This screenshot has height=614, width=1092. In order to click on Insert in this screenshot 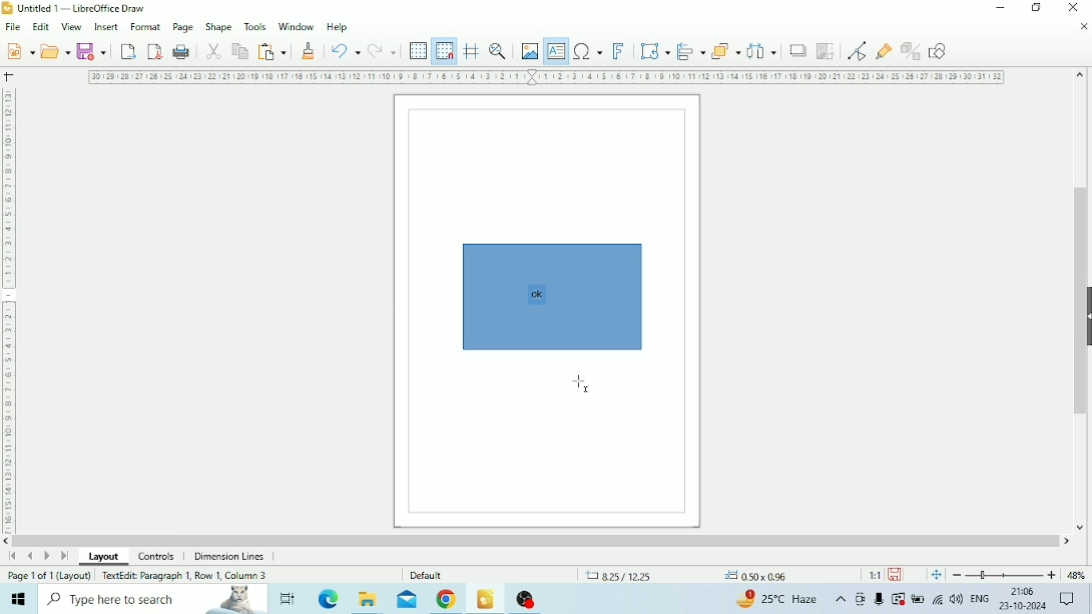, I will do `click(106, 26)`.